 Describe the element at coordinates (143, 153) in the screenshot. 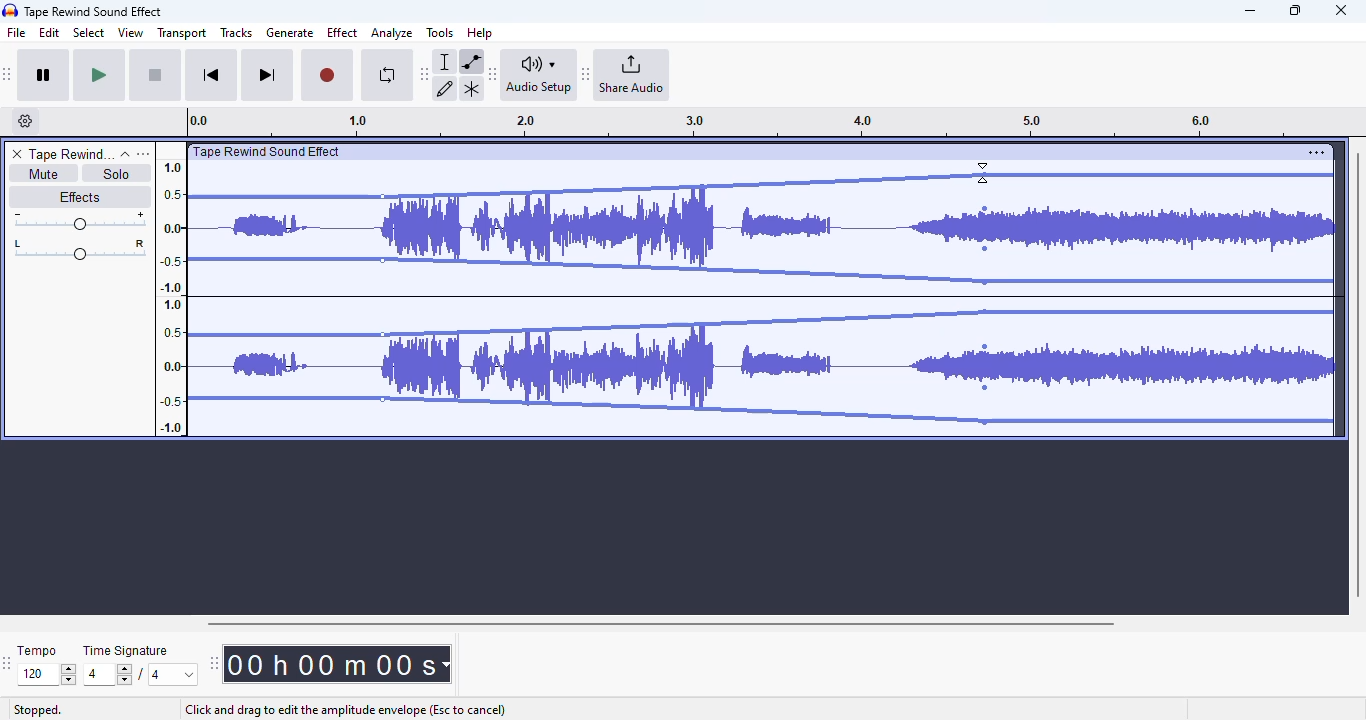

I see `open menu` at that location.